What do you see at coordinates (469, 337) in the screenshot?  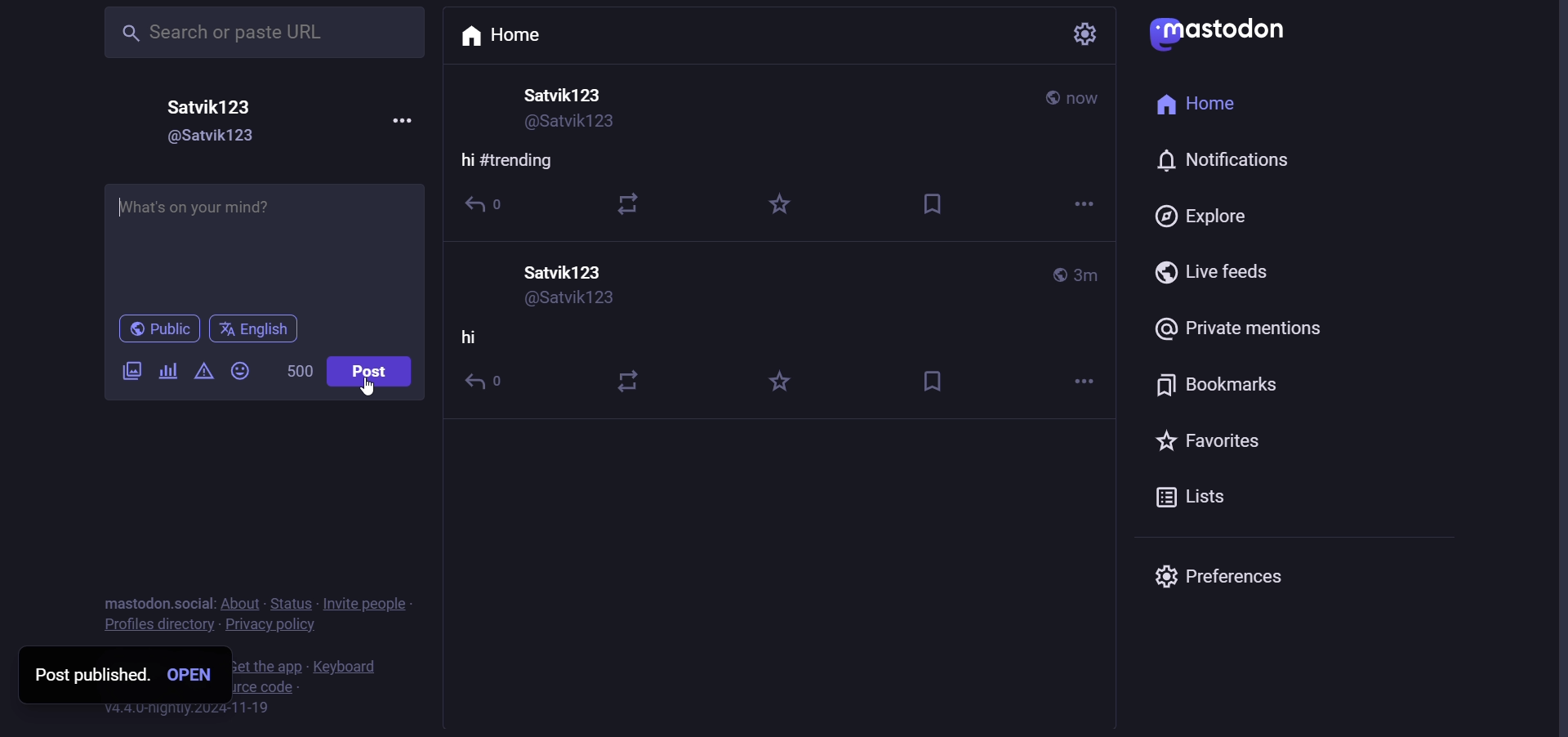 I see `hi` at bounding box center [469, 337].